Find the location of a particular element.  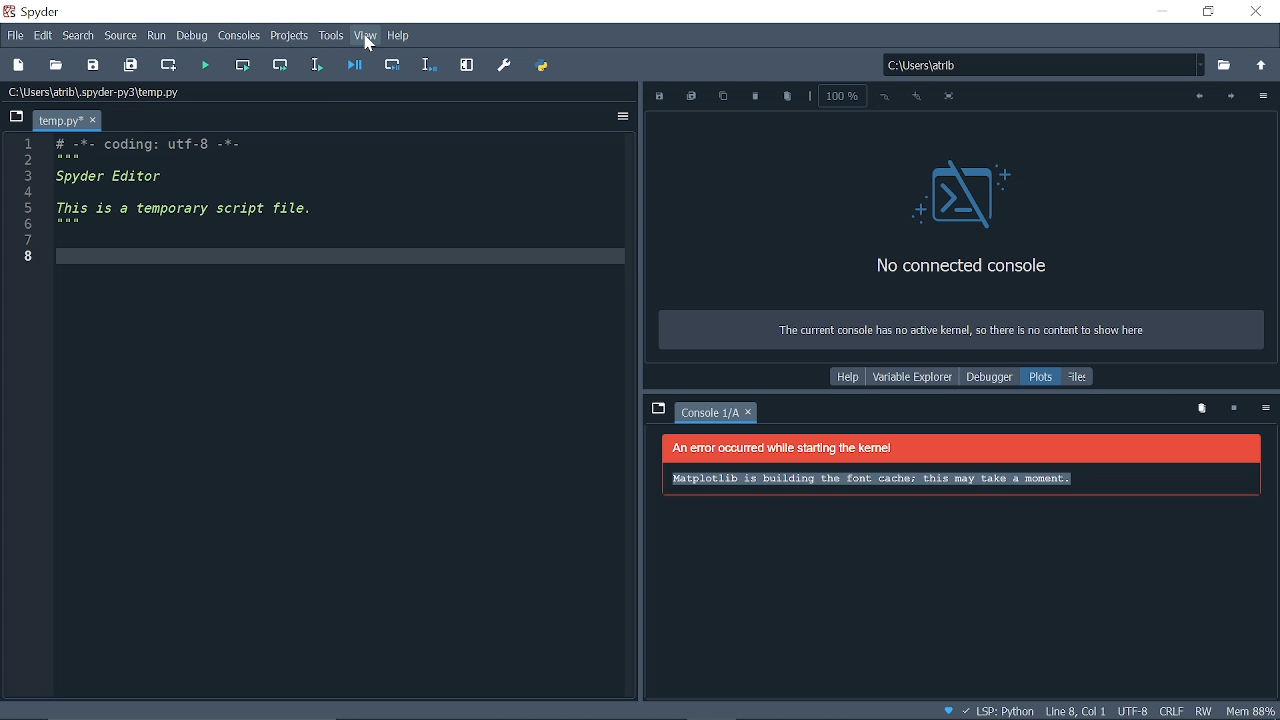

Save plot as is located at coordinates (661, 97).